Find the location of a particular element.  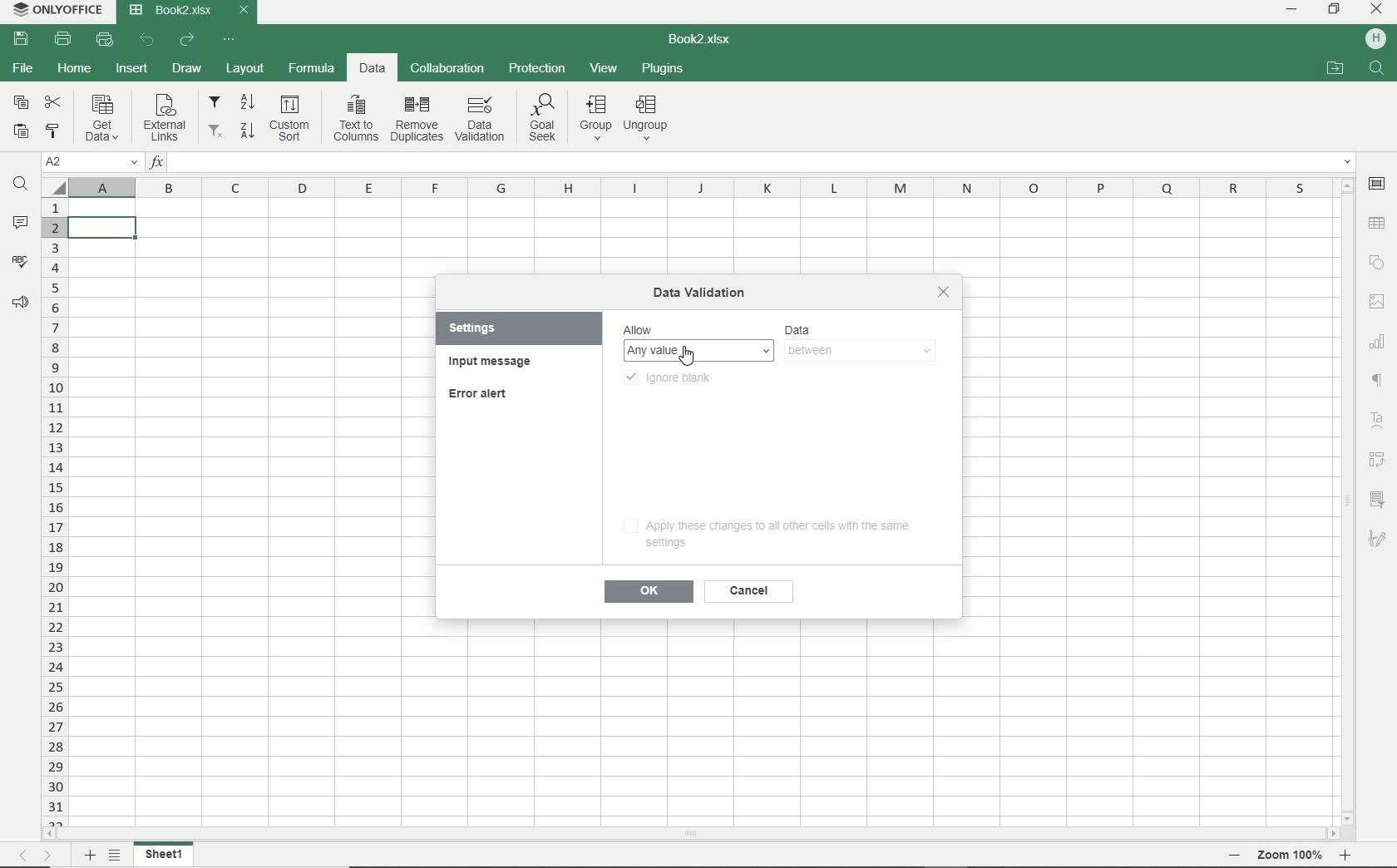

sort ascending is located at coordinates (250, 103).